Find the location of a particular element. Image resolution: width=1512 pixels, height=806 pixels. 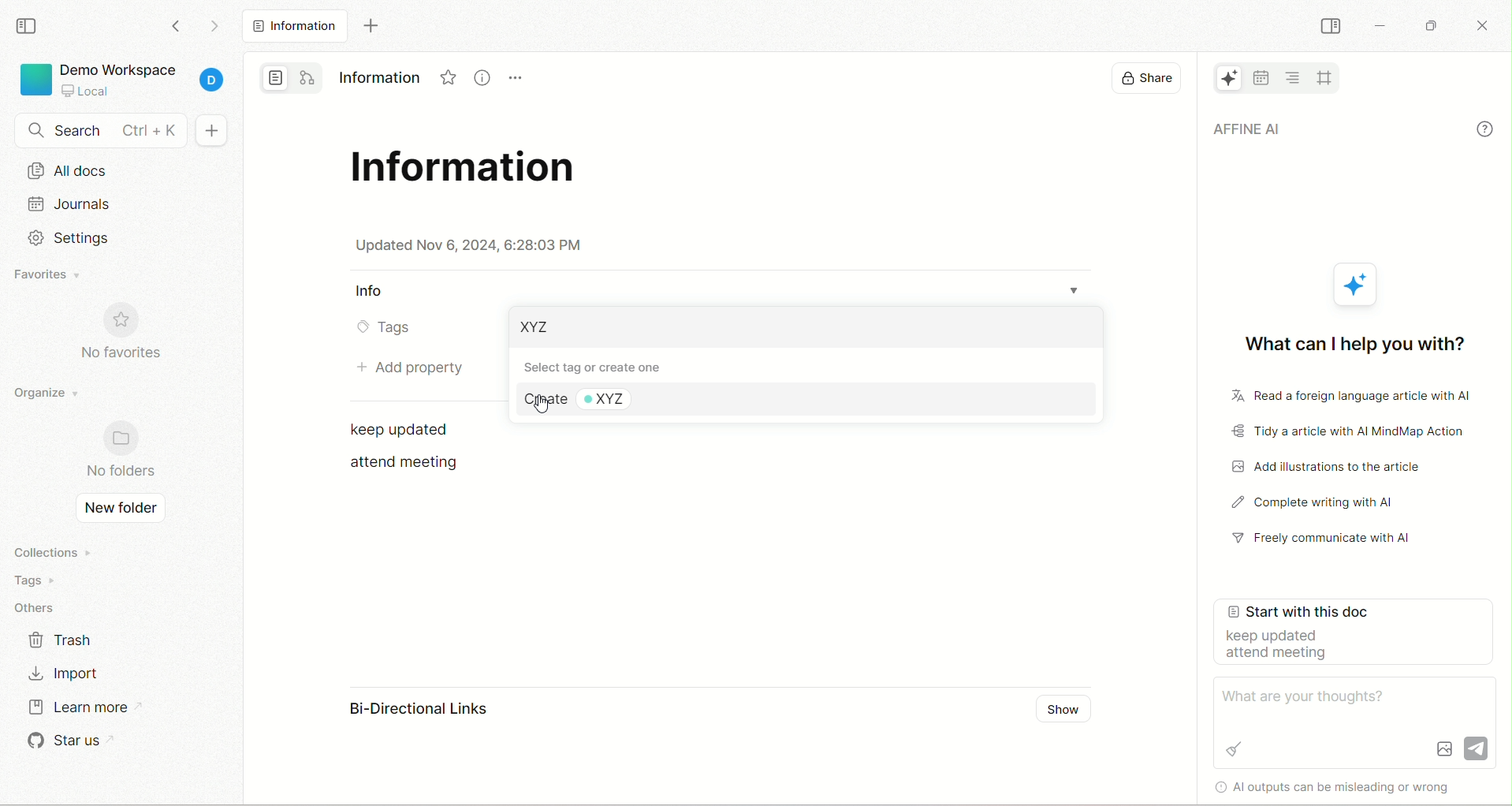

tags is located at coordinates (382, 329).